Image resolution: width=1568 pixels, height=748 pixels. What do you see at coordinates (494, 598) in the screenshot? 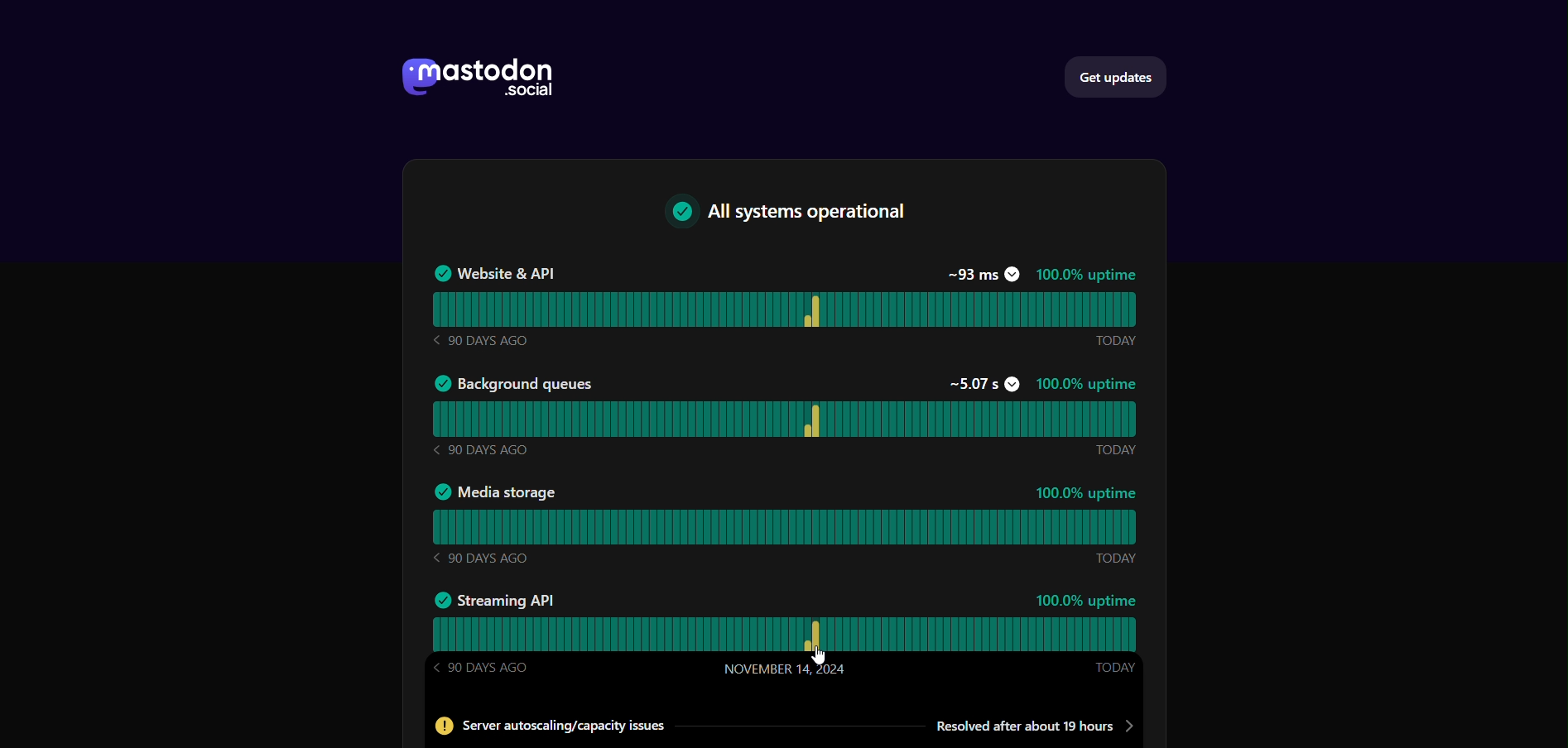
I see `Streaming API` at bounding box center [494, 598].